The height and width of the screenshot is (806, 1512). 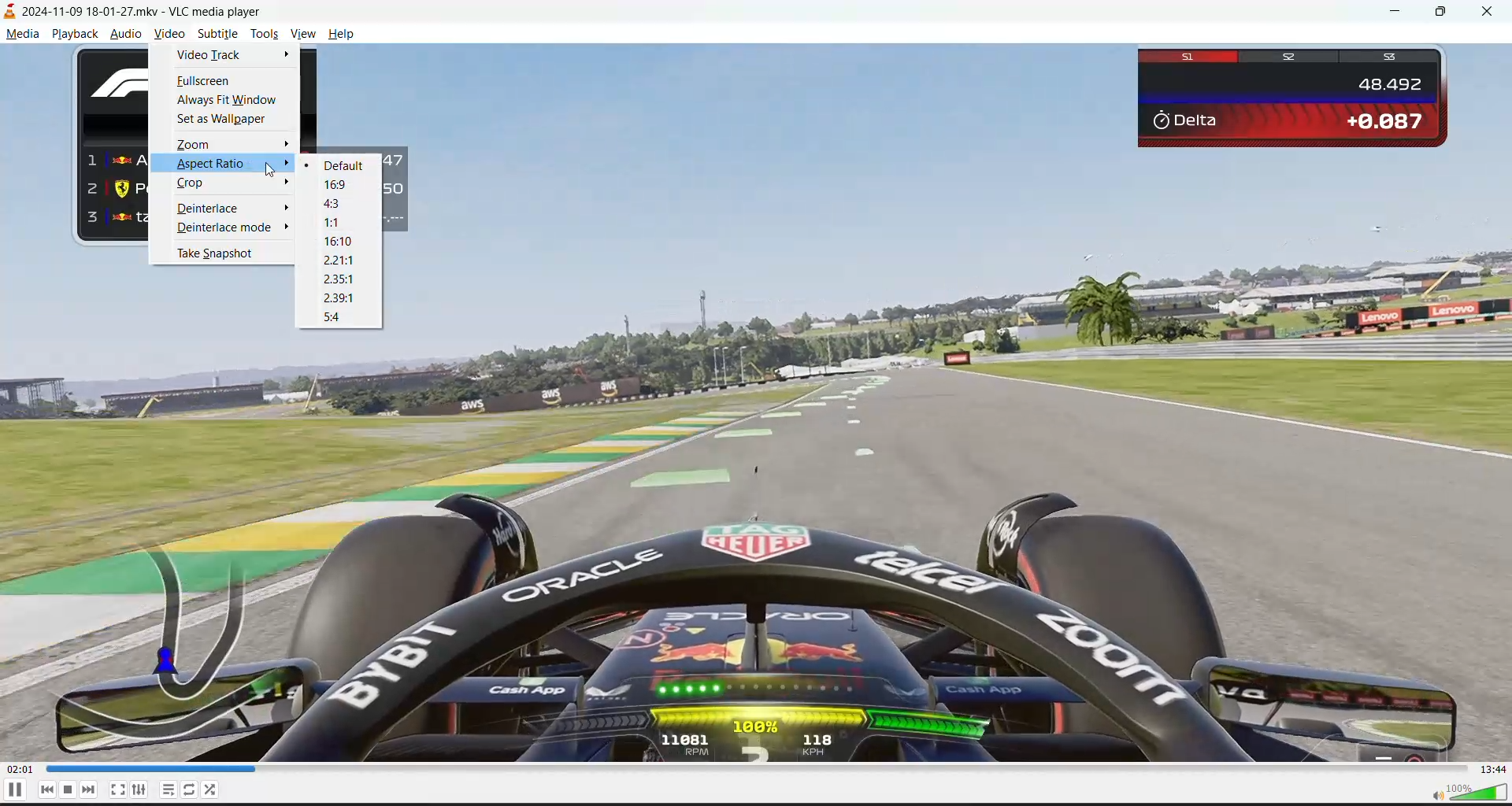 I want to click on help, so click(x=345, y=33).